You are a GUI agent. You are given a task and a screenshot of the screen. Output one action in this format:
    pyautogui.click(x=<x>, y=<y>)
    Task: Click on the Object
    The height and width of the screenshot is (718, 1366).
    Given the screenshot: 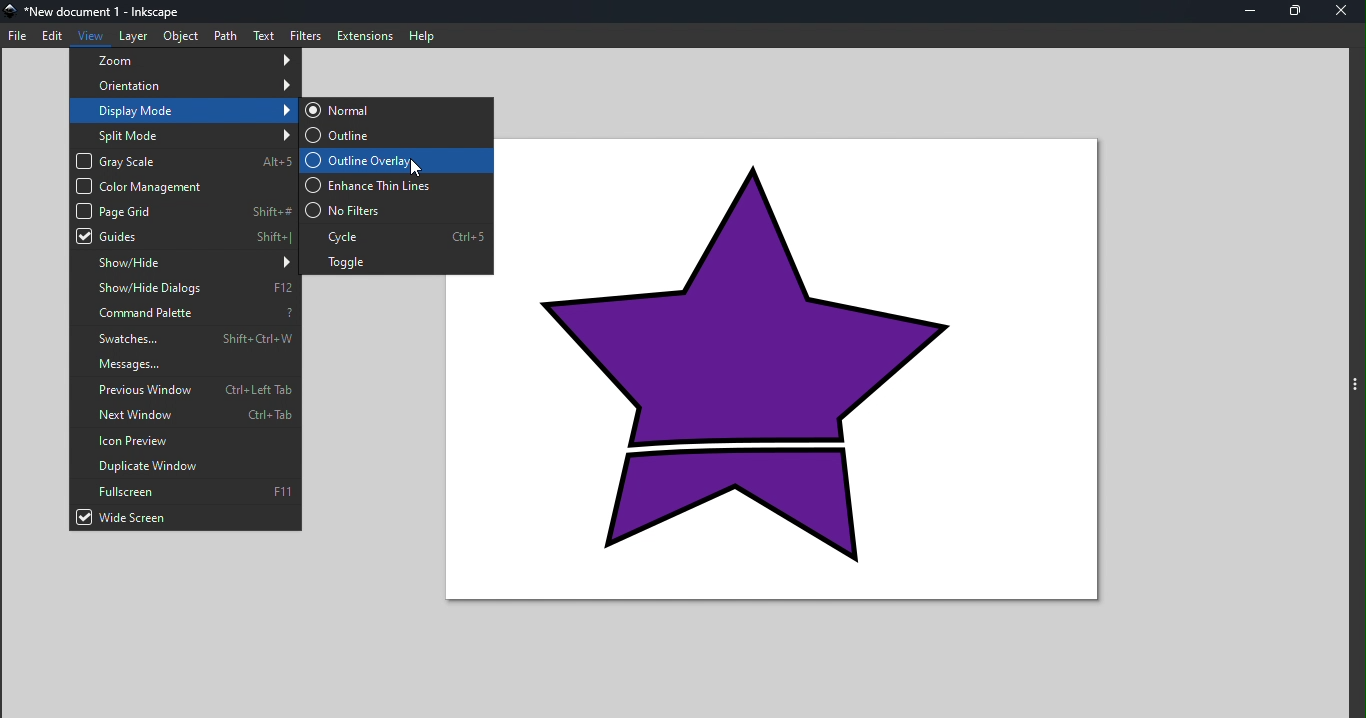 What is the action you would take?
    pyautogui.click(x=179, y=36)
    